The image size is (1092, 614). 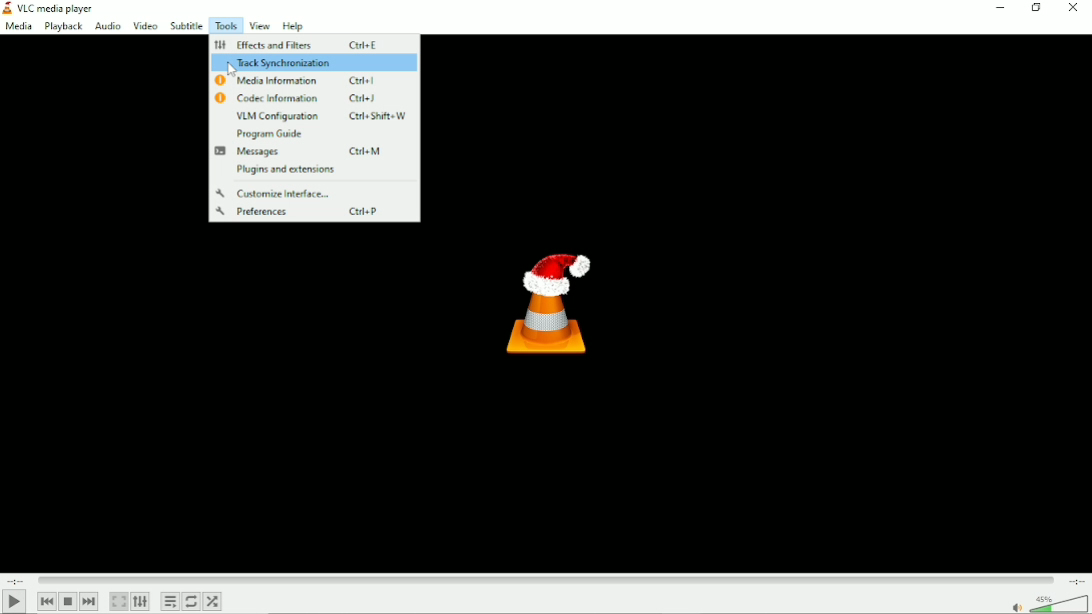 I want to click on Preferences, so click(x=316, y=212).